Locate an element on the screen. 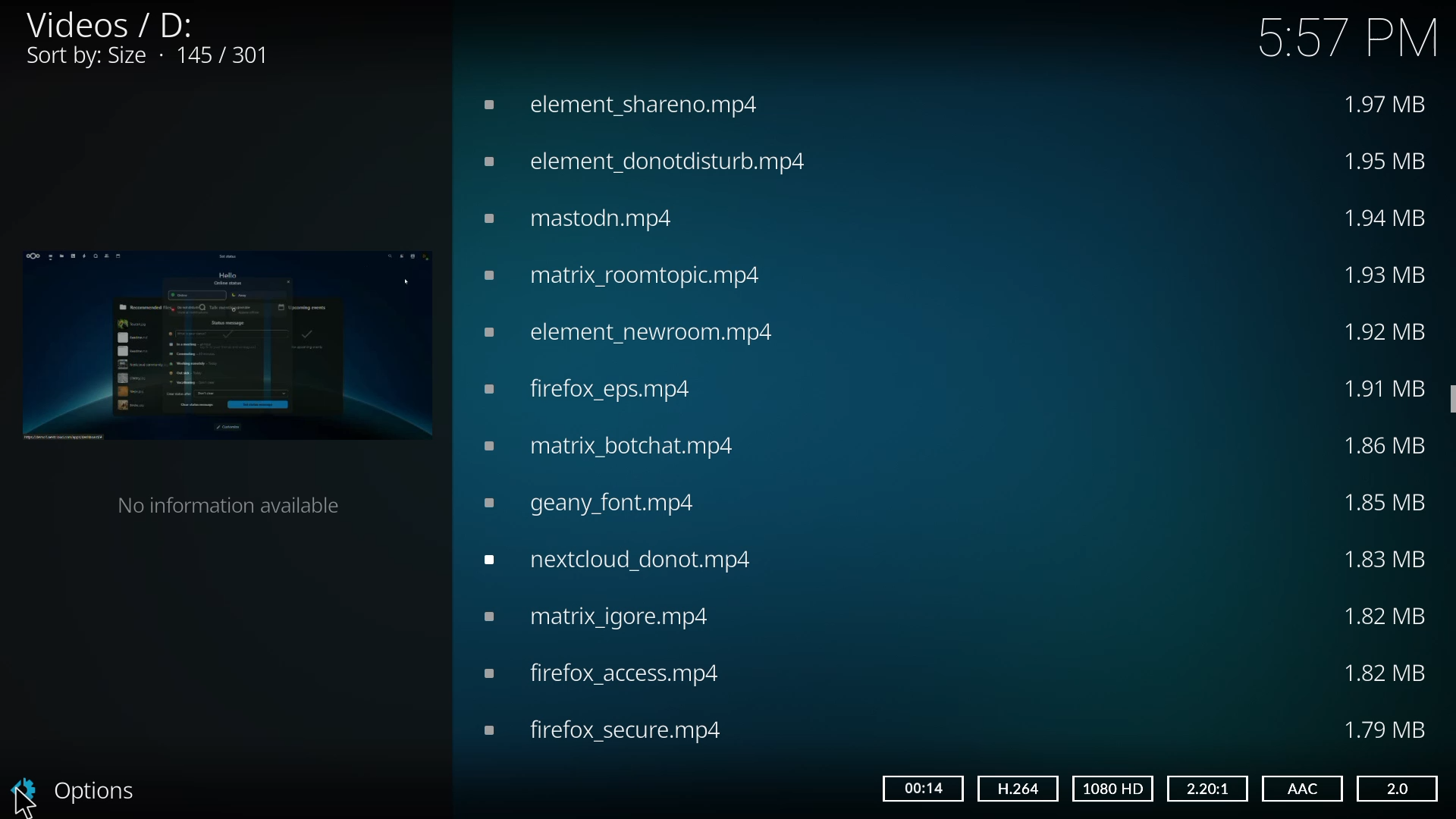  size is located at coordinates (1386, 557).